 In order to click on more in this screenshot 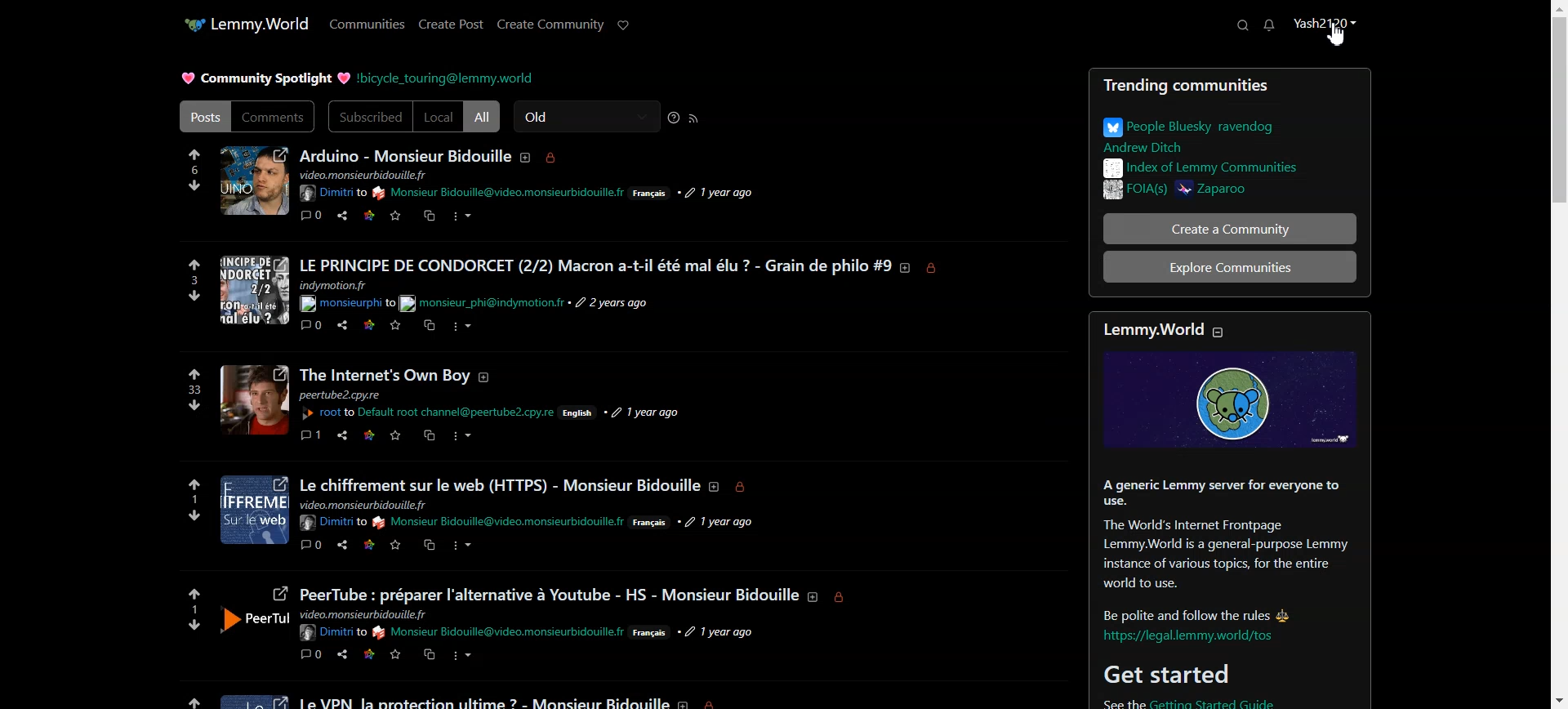, I will do `click(470, 328)`.